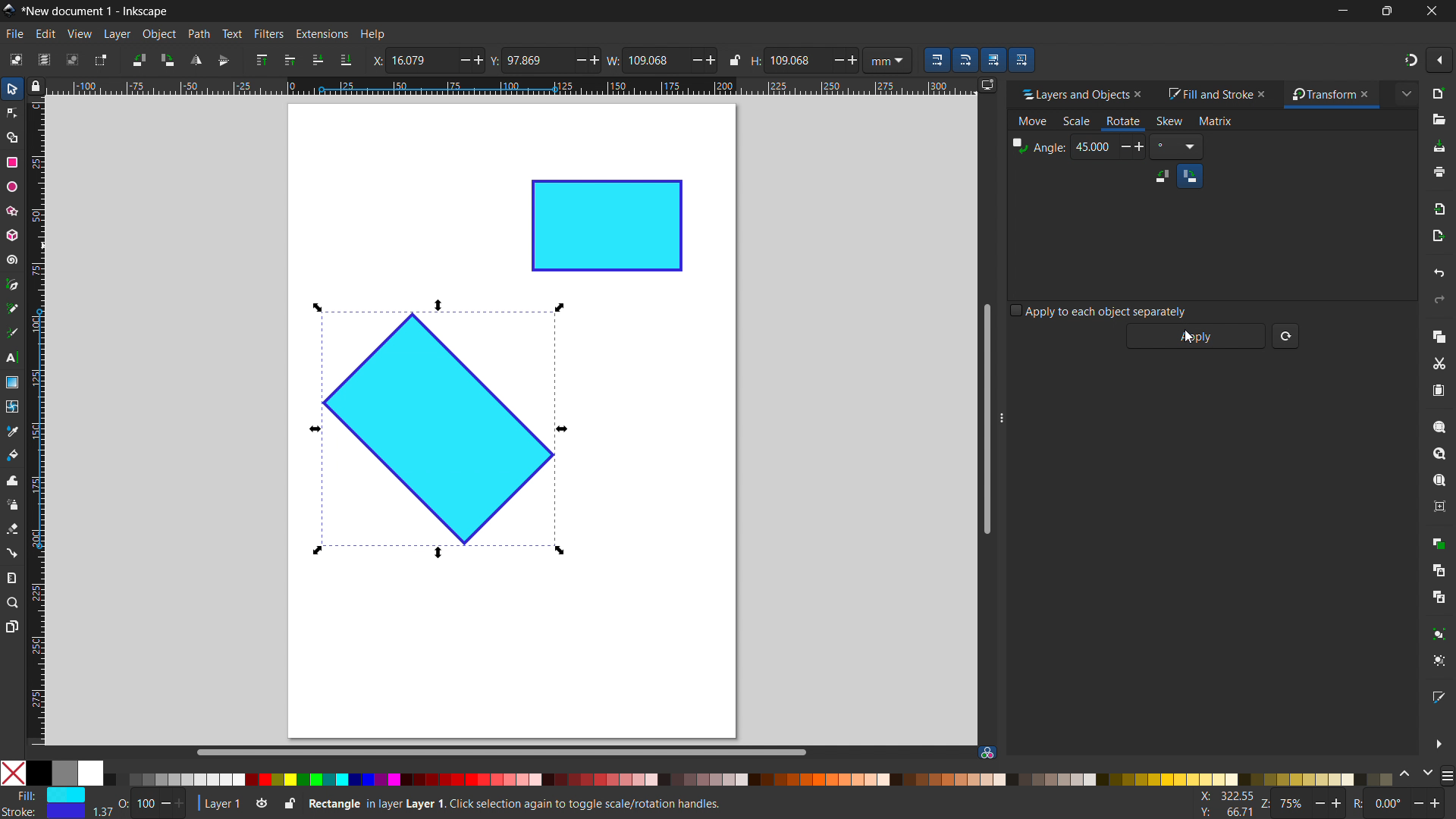 This screenshot has width=1456, height=819. What do you see at coordinates (224, 61) in the screenshot?
I see `flip vertically` at bounding box center [224, 61].